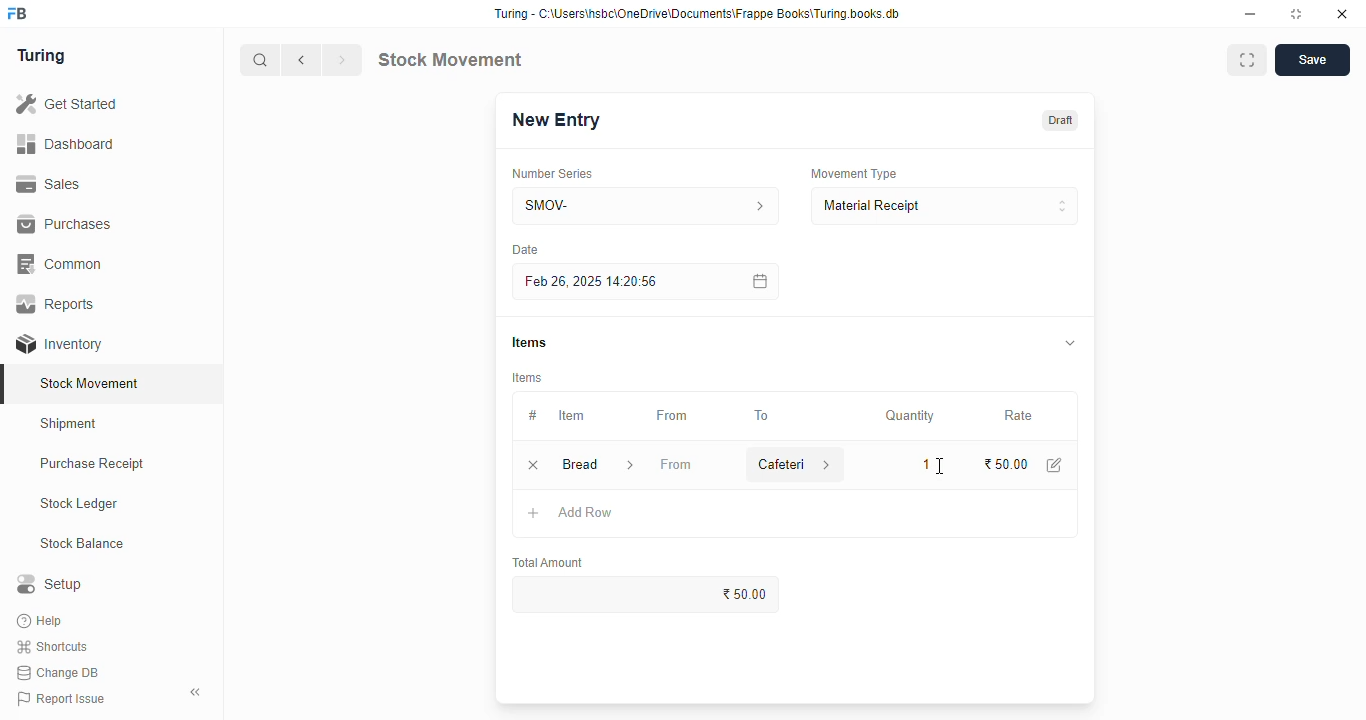 This screenshot has width=1366, height=720. What do you see at coordinates (763, 416) in the screenshot?
I see `to` at bounding box center [763, 416].